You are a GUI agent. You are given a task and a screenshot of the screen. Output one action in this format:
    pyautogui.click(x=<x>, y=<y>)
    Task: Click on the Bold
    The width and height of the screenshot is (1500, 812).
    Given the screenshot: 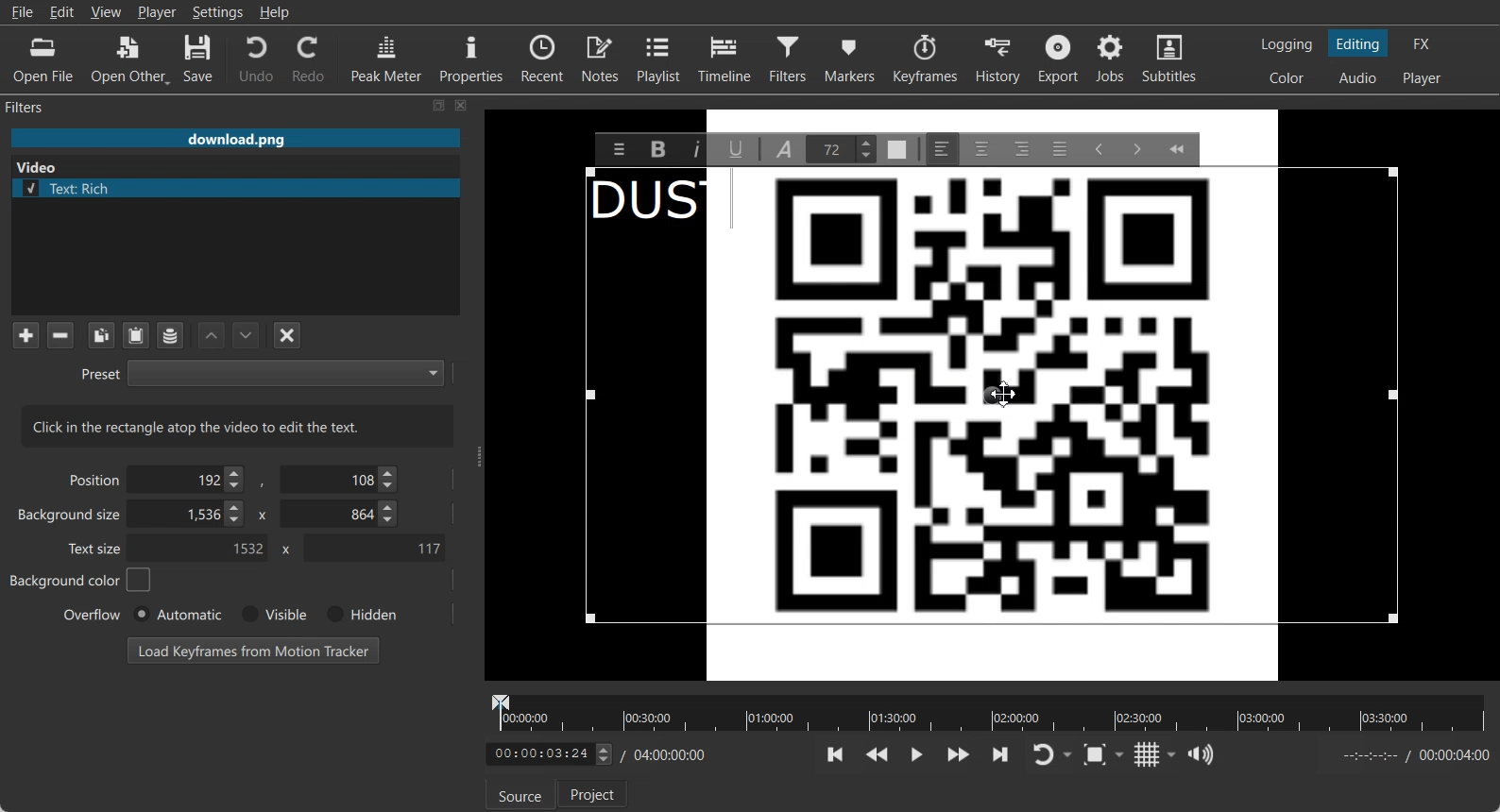 What is the action you would take?
    pyautogui.click(x=657, y=148)
    